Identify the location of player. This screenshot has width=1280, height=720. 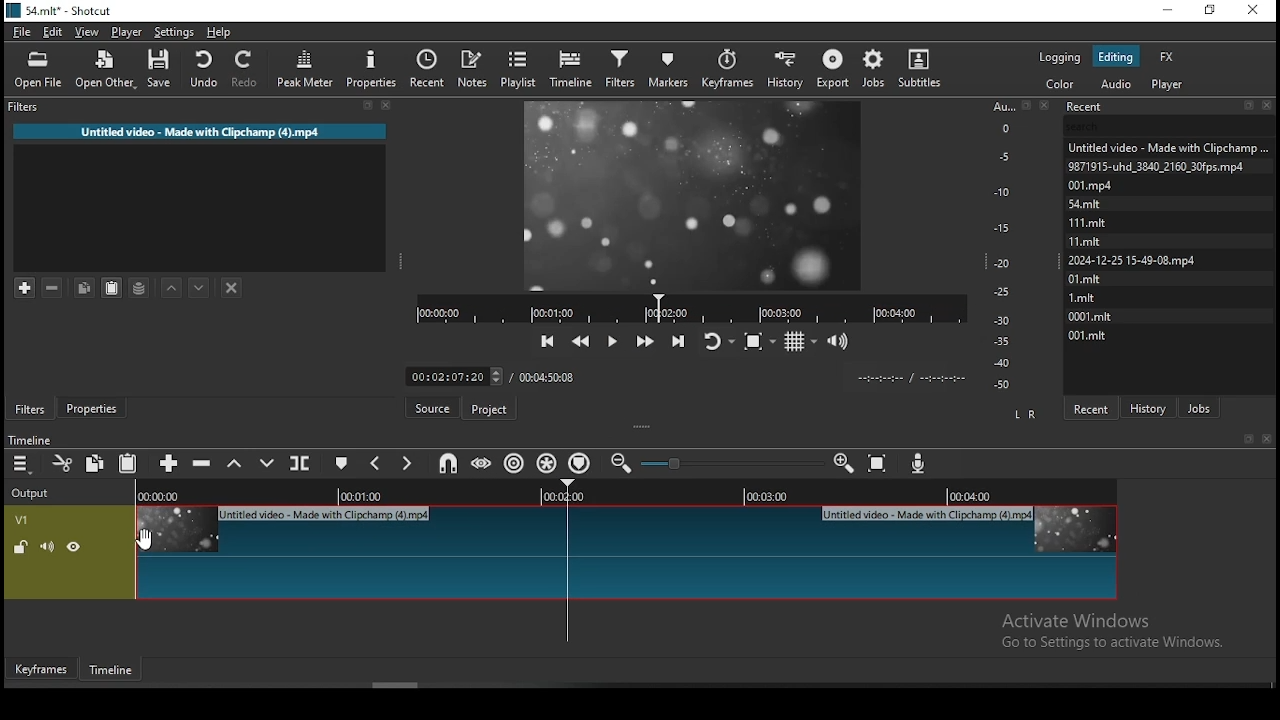
(127, 31).